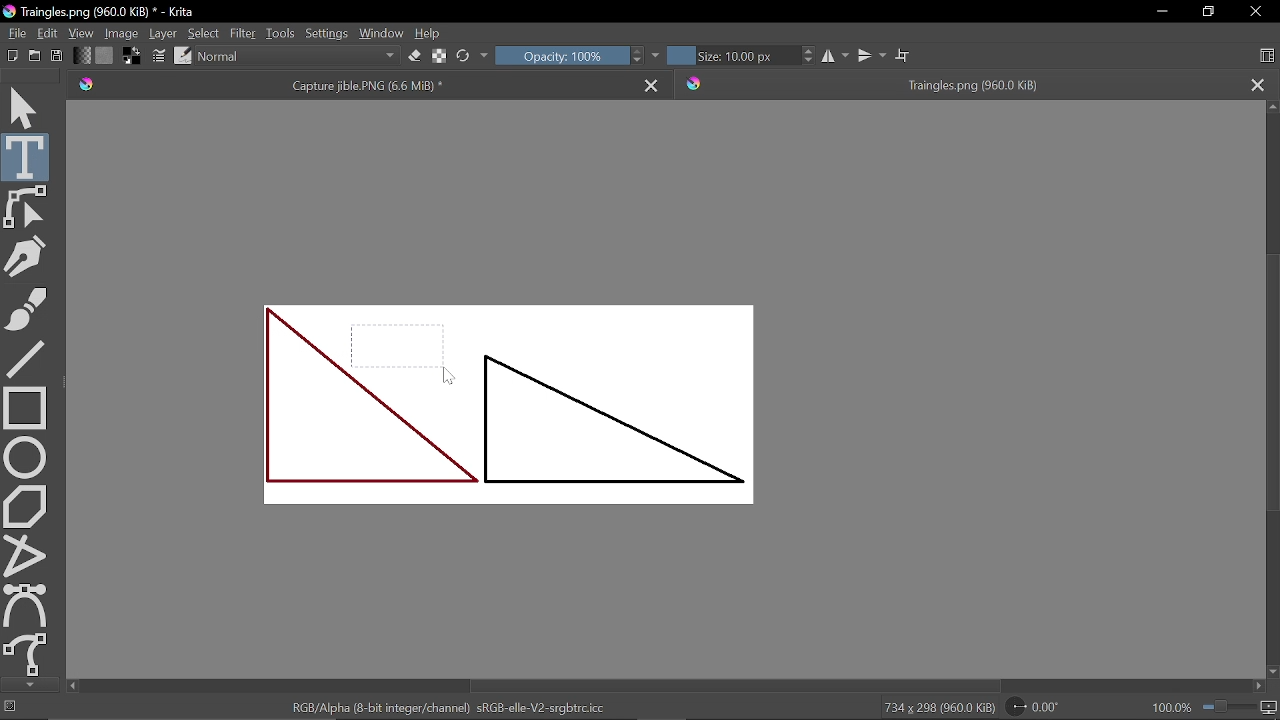 This screenshot has height=720, width=1280. Describe the element at coordinates (204, 32) in the screenshot. I see `Select` at that location.